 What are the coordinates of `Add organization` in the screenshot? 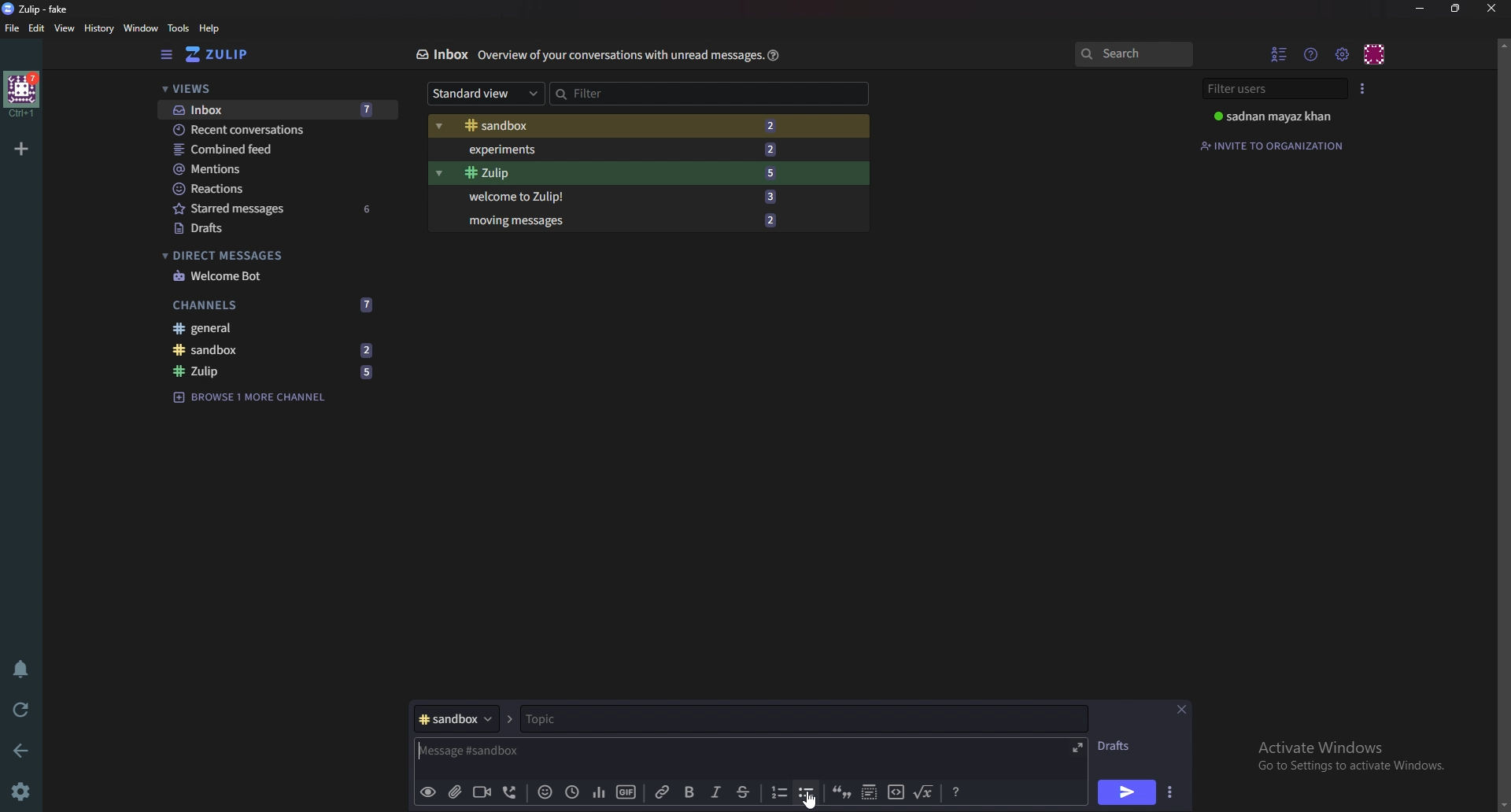 It's located at (20, 148).